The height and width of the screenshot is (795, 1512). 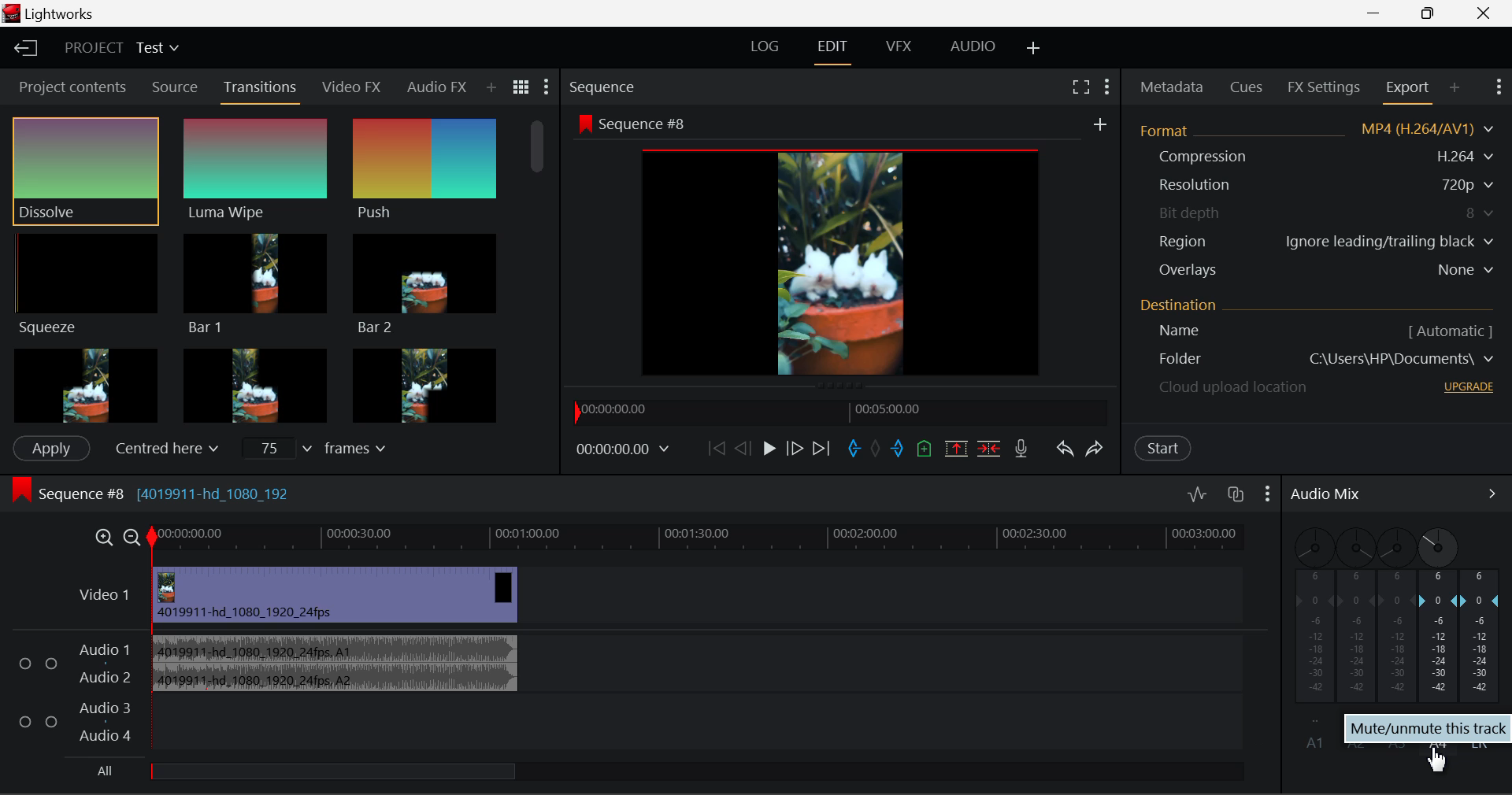 What do you see at coordinates (925, 448) in the screenshot?
I see `Mark Cue` at bounding box center [925, 448].